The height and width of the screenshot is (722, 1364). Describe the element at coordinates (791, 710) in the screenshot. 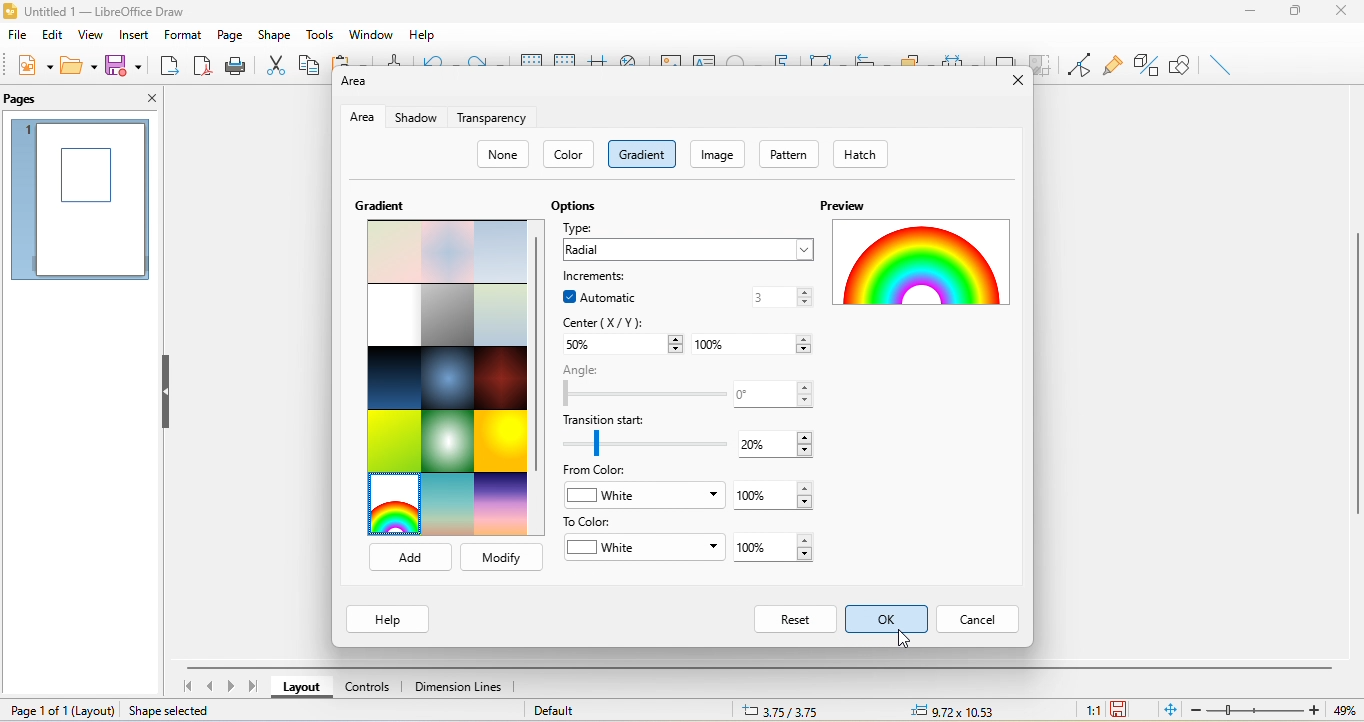

I see `6.13/8.02` at that location.